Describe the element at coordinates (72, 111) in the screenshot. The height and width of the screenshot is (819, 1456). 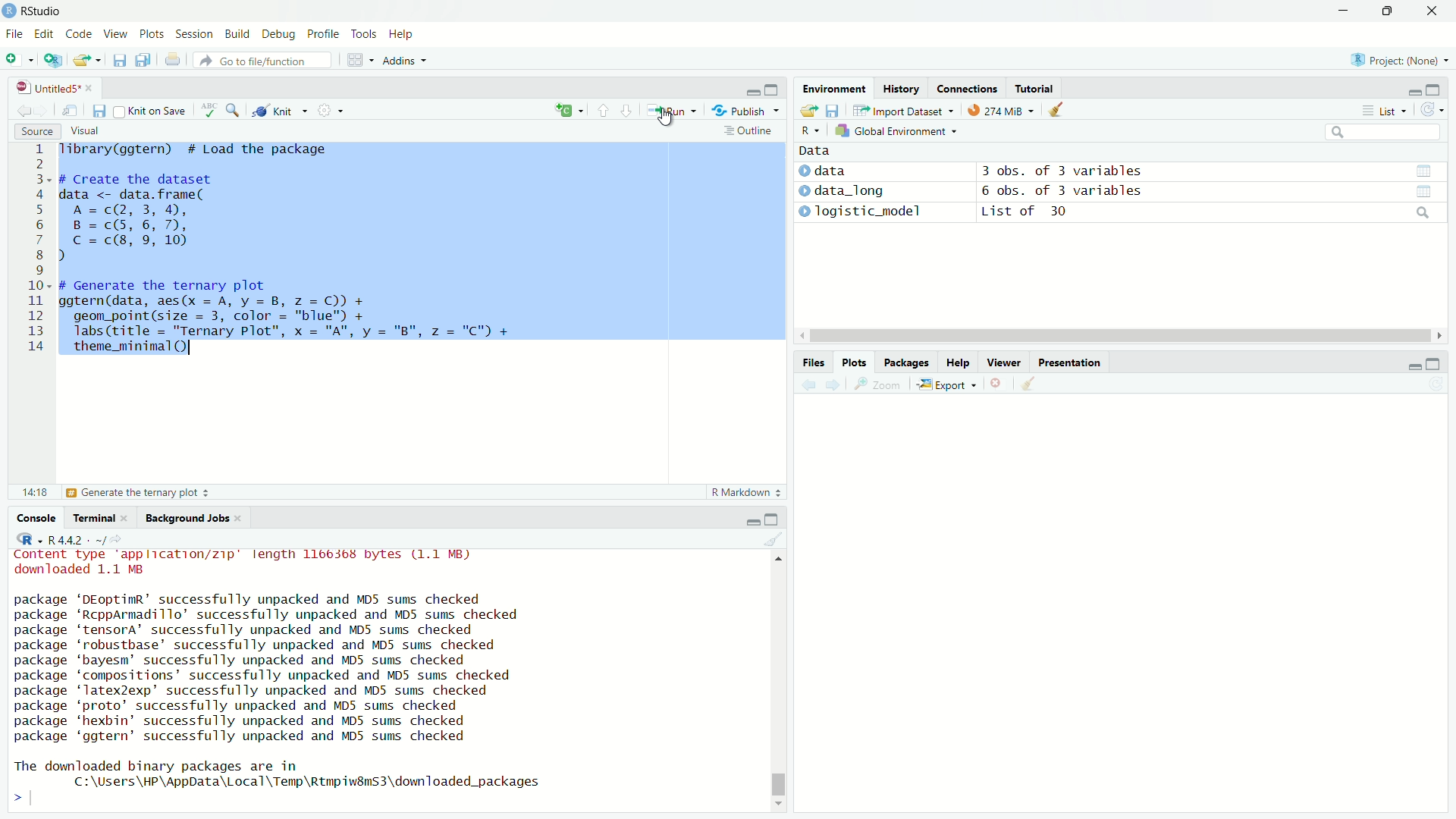
I see `view` at that location.